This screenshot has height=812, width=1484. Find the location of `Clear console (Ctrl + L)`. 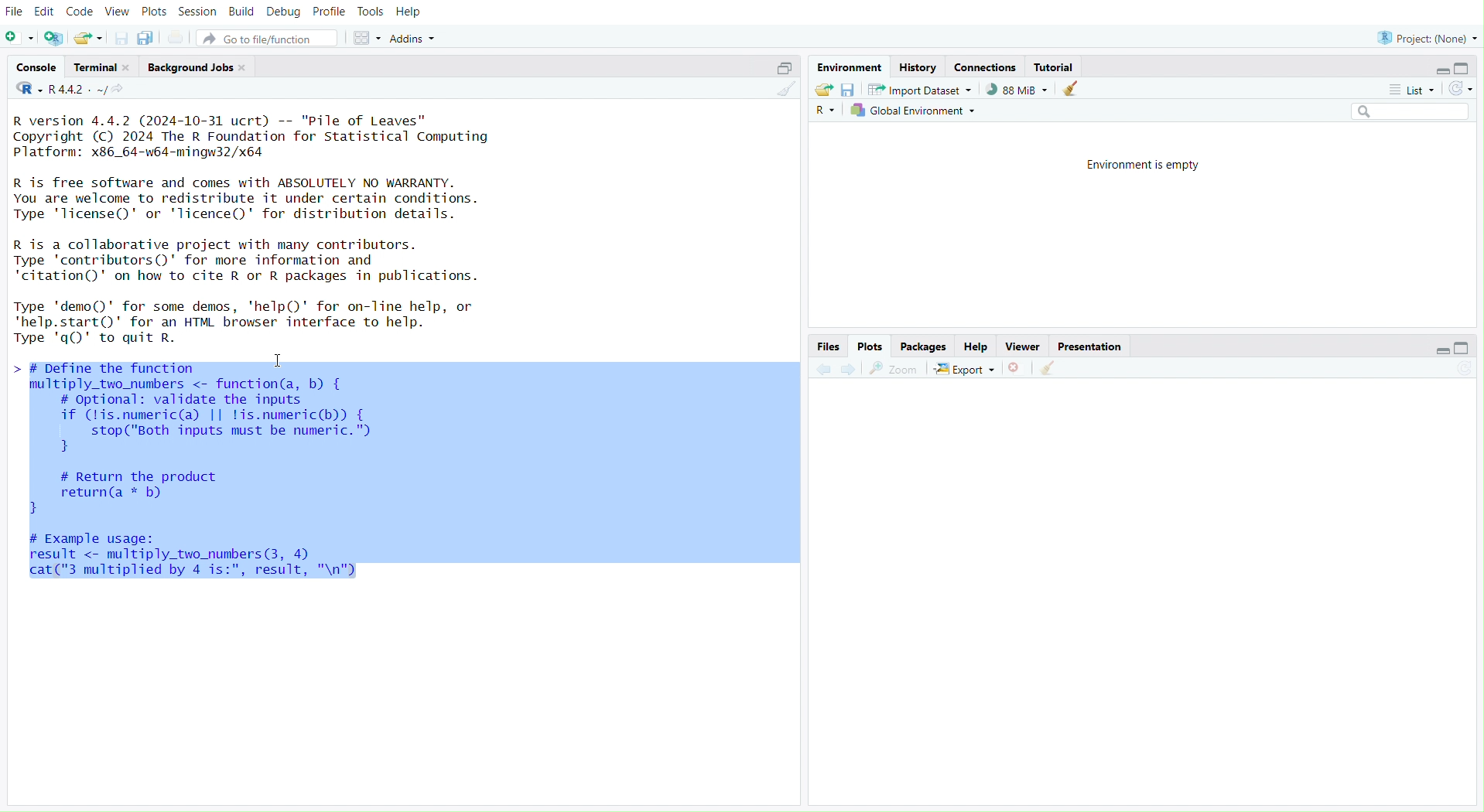

Clear console (Ctrl + L) is located at coordinates (783, 90).